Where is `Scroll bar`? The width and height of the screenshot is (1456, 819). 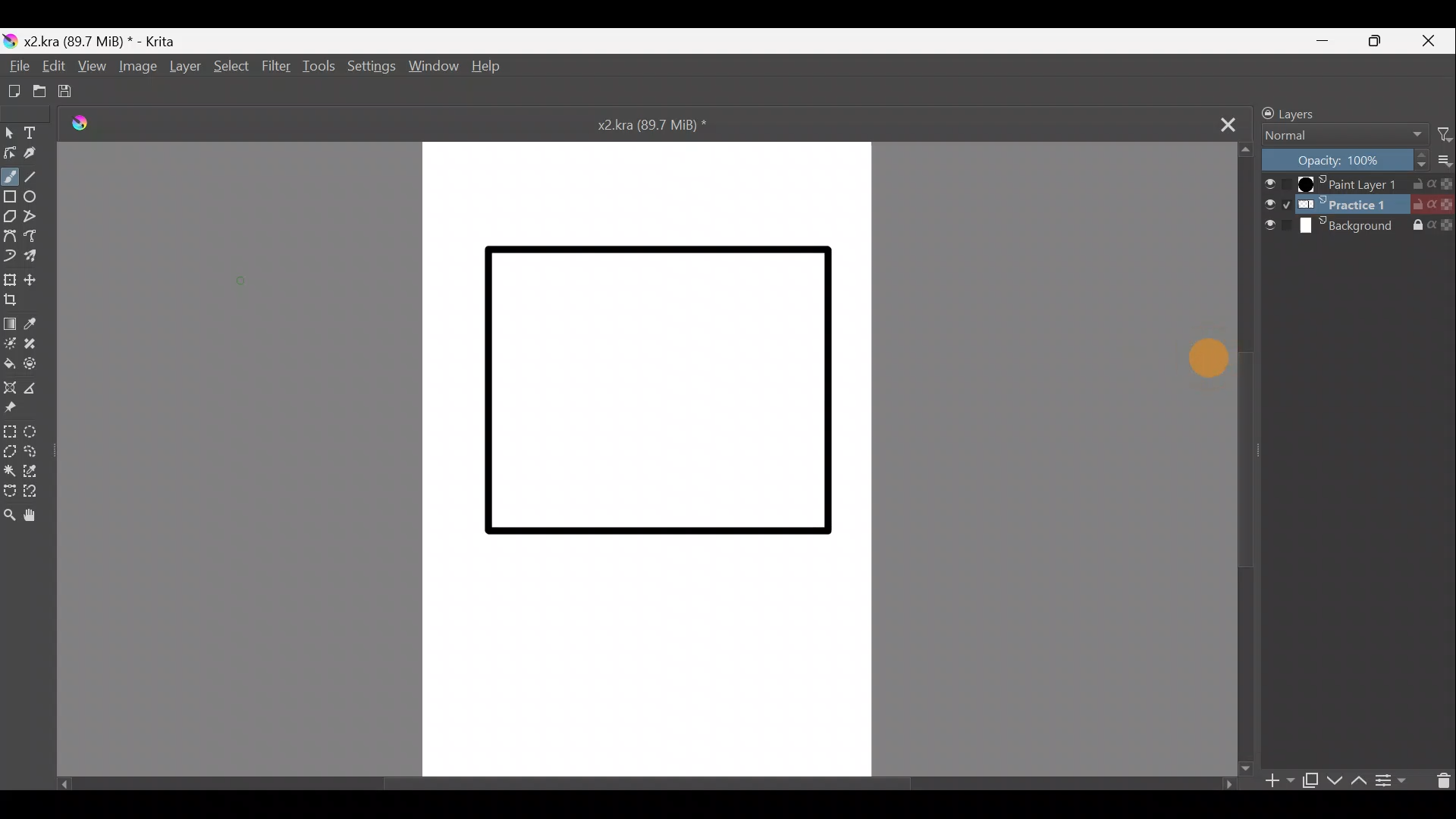
Scroll bar is located at coordinates (648, 786).